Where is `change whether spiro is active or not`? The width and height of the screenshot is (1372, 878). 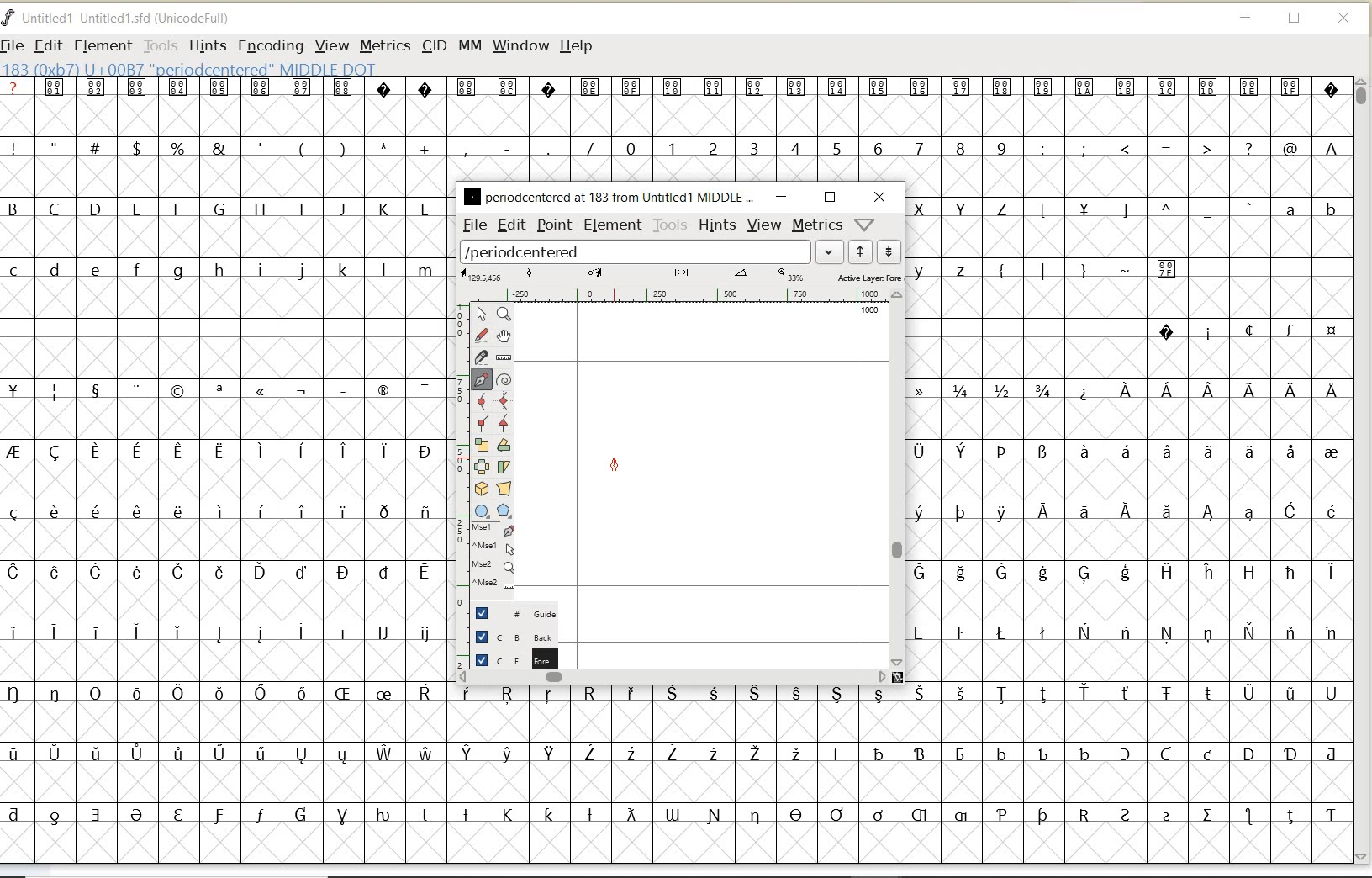
change whether spiro is active or not is located at coordinates (504, 378).